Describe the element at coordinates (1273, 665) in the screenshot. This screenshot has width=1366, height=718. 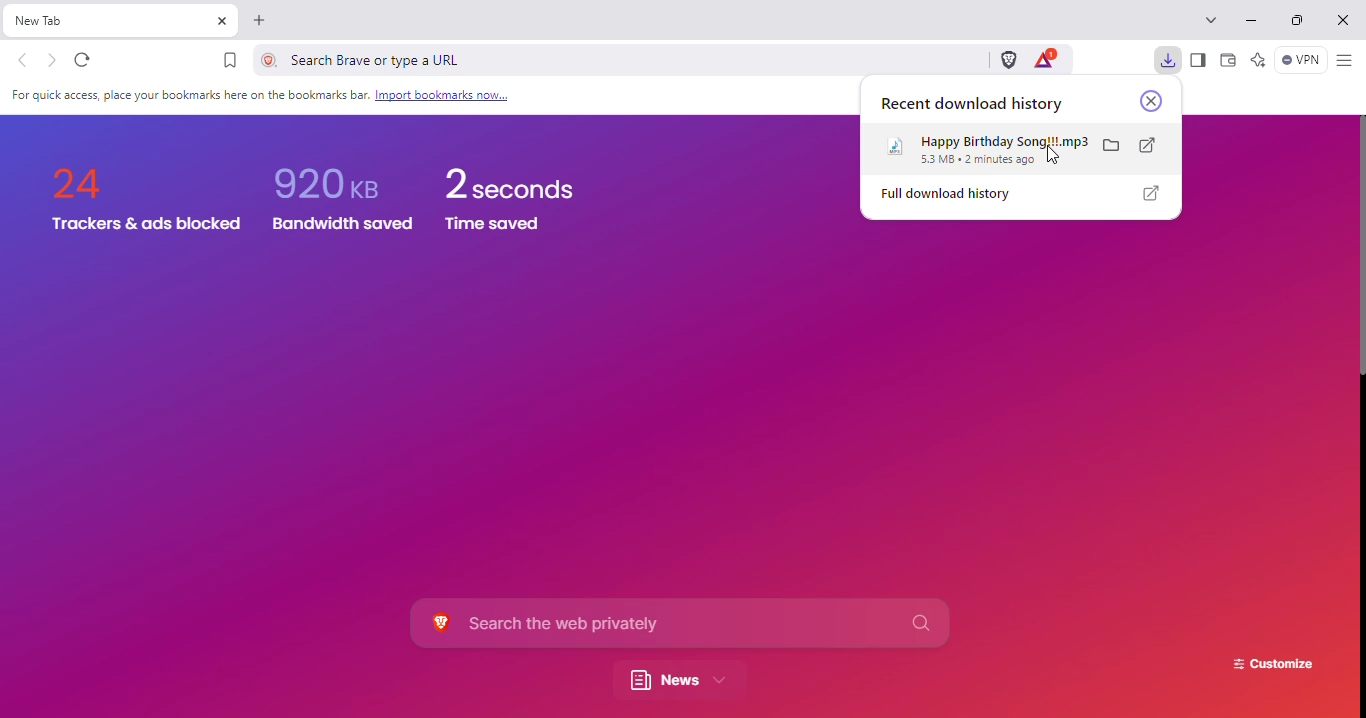
I see `customize` at that location.